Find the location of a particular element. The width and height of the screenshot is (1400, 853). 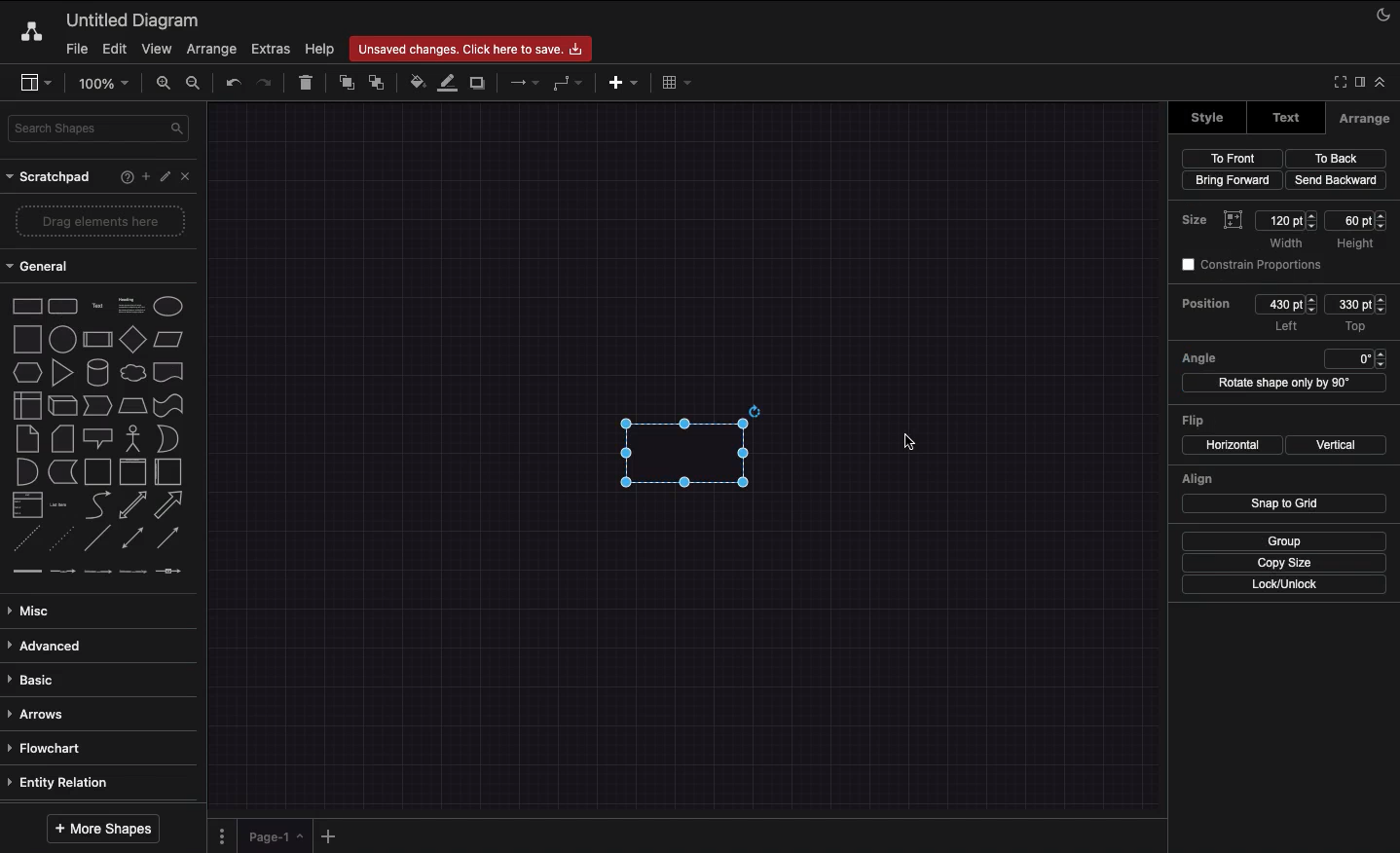

Arrows is located at coordinates (48, 716).